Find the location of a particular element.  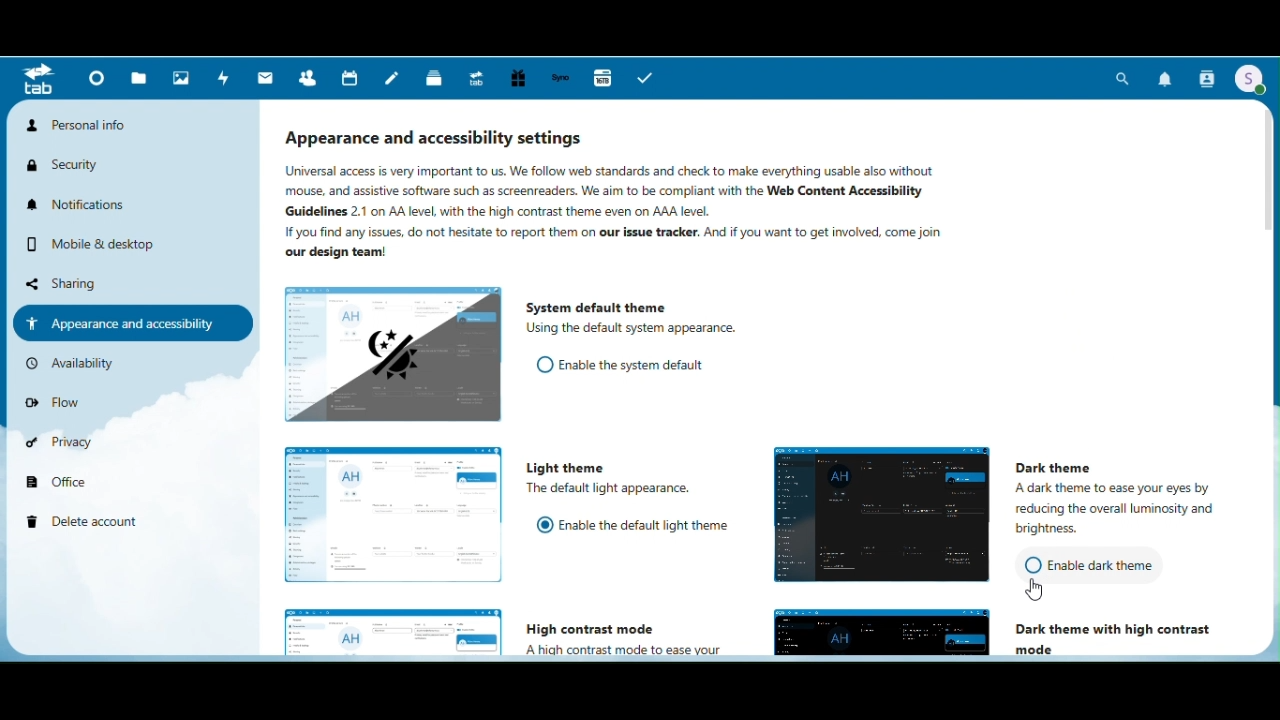

Vertical scroll bar is located at coordinates (1272, 256).